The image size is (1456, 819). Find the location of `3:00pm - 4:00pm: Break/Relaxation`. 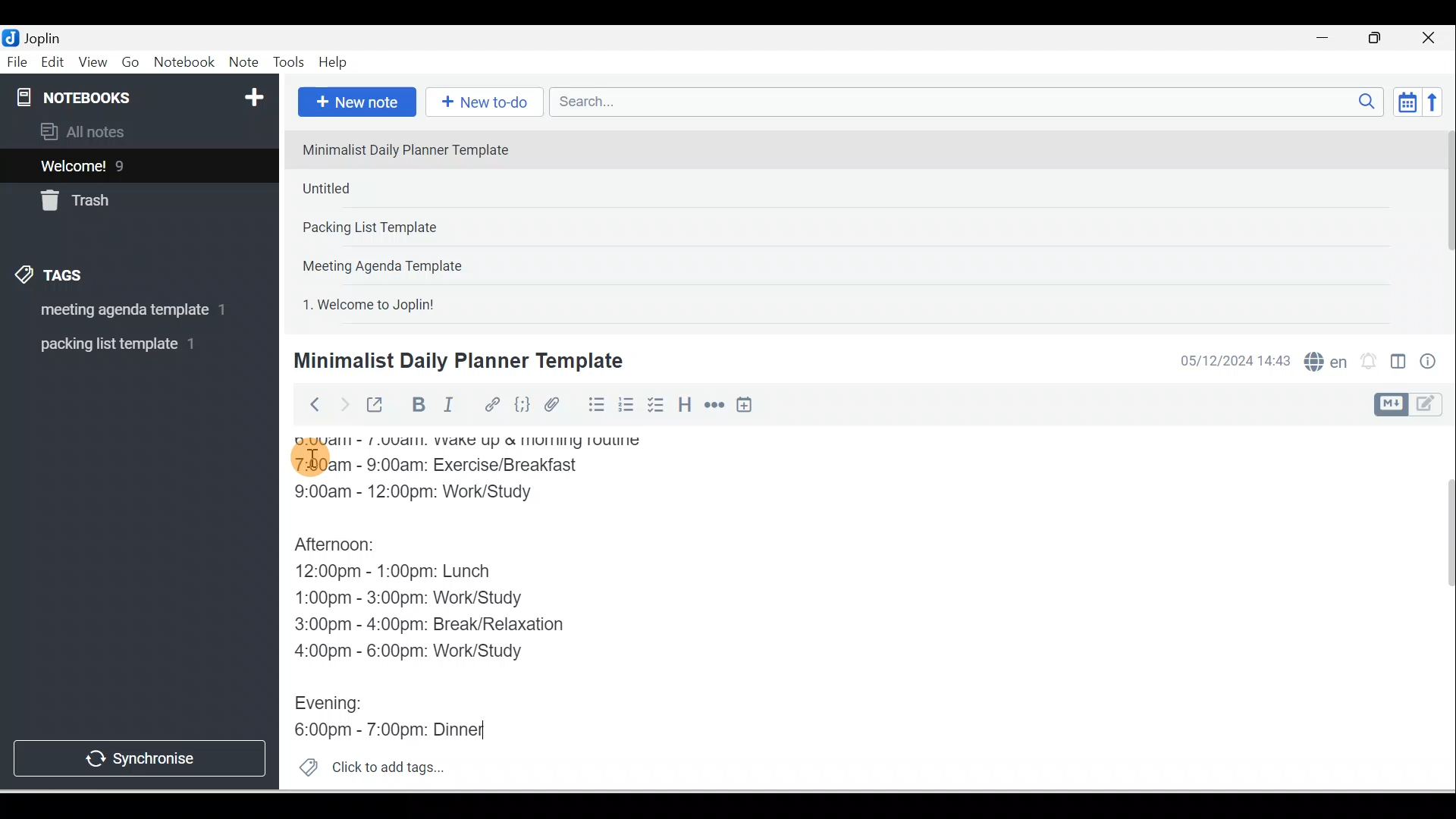

3:00pm - 4:00pm: Break/Relaxation is located at coordinates (462, 623).